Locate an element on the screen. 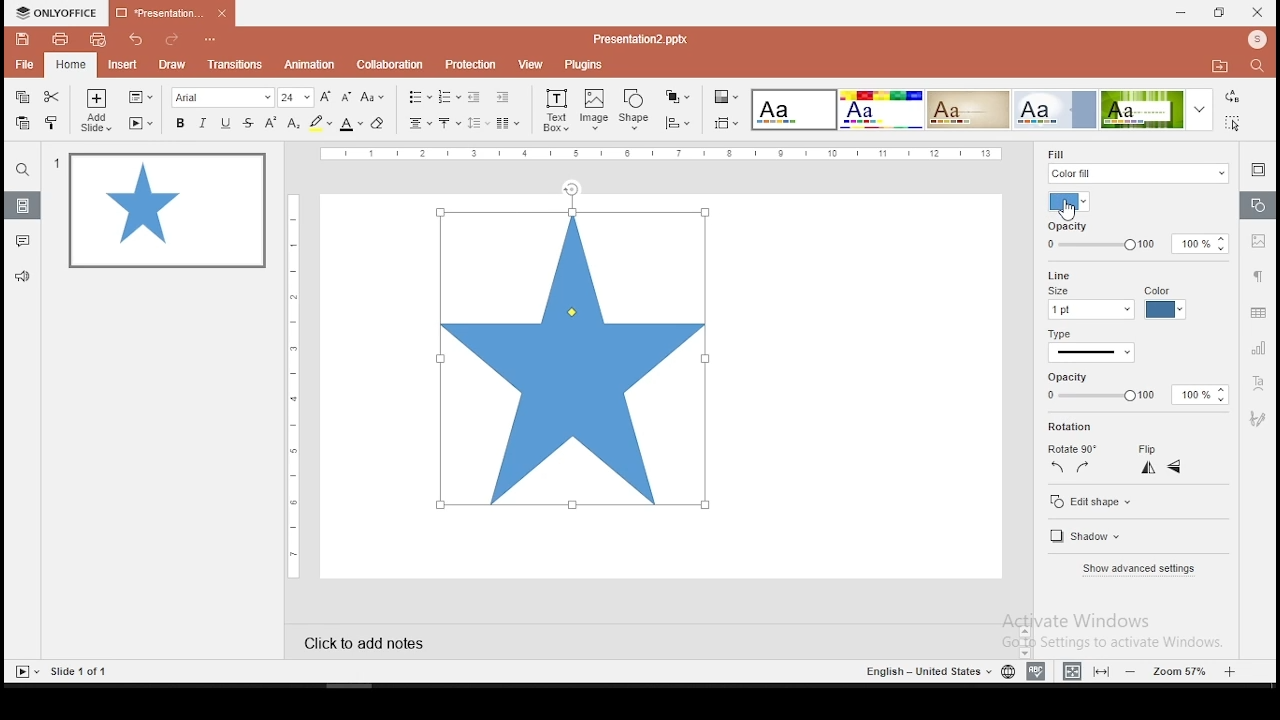 This screenshot has width=1280, height=720. image settings is located at coordinates (1259, 241).